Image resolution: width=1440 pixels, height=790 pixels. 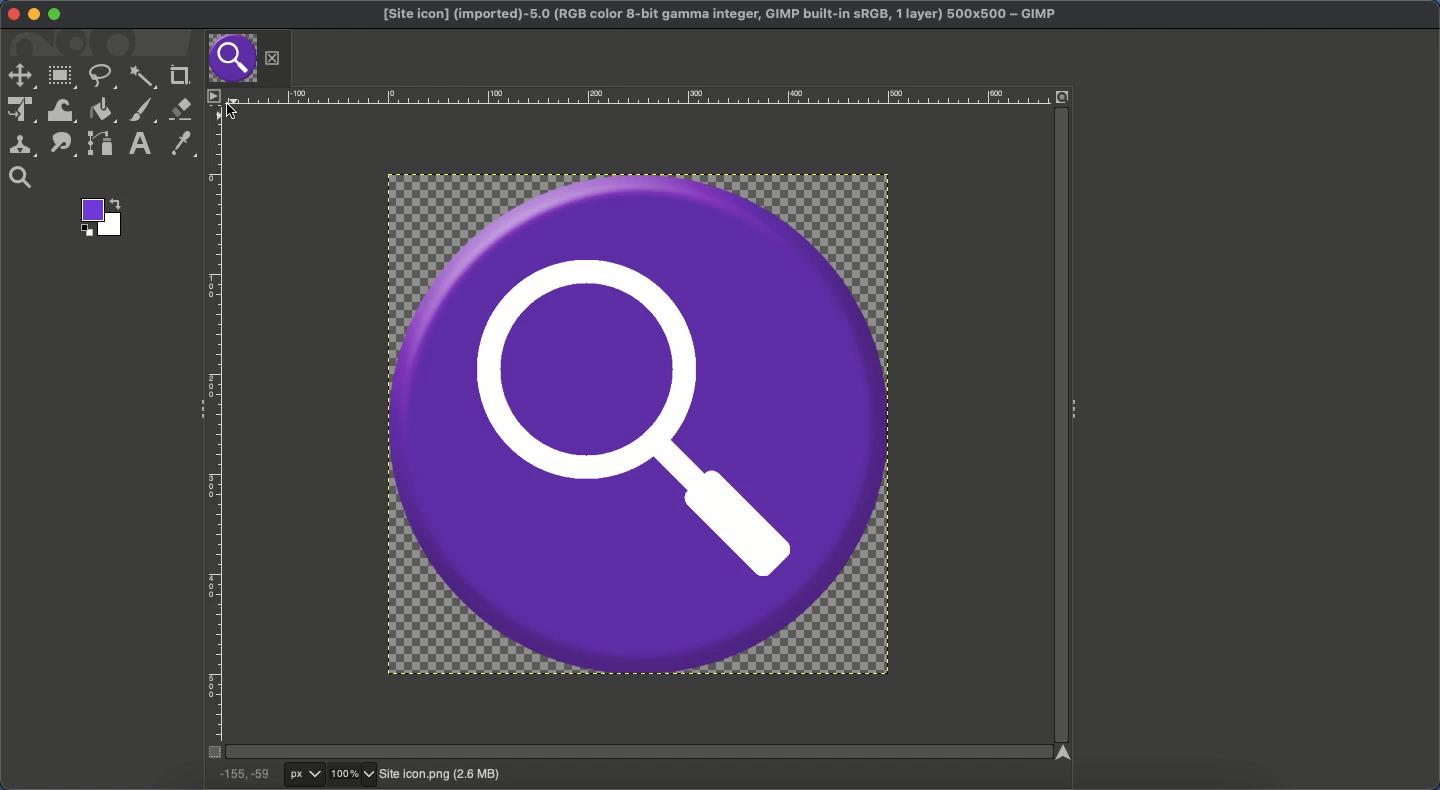 What do you see at coordinates (231, 59) in the screenshot?
I see `Tab` at bounding box center [231, 59].